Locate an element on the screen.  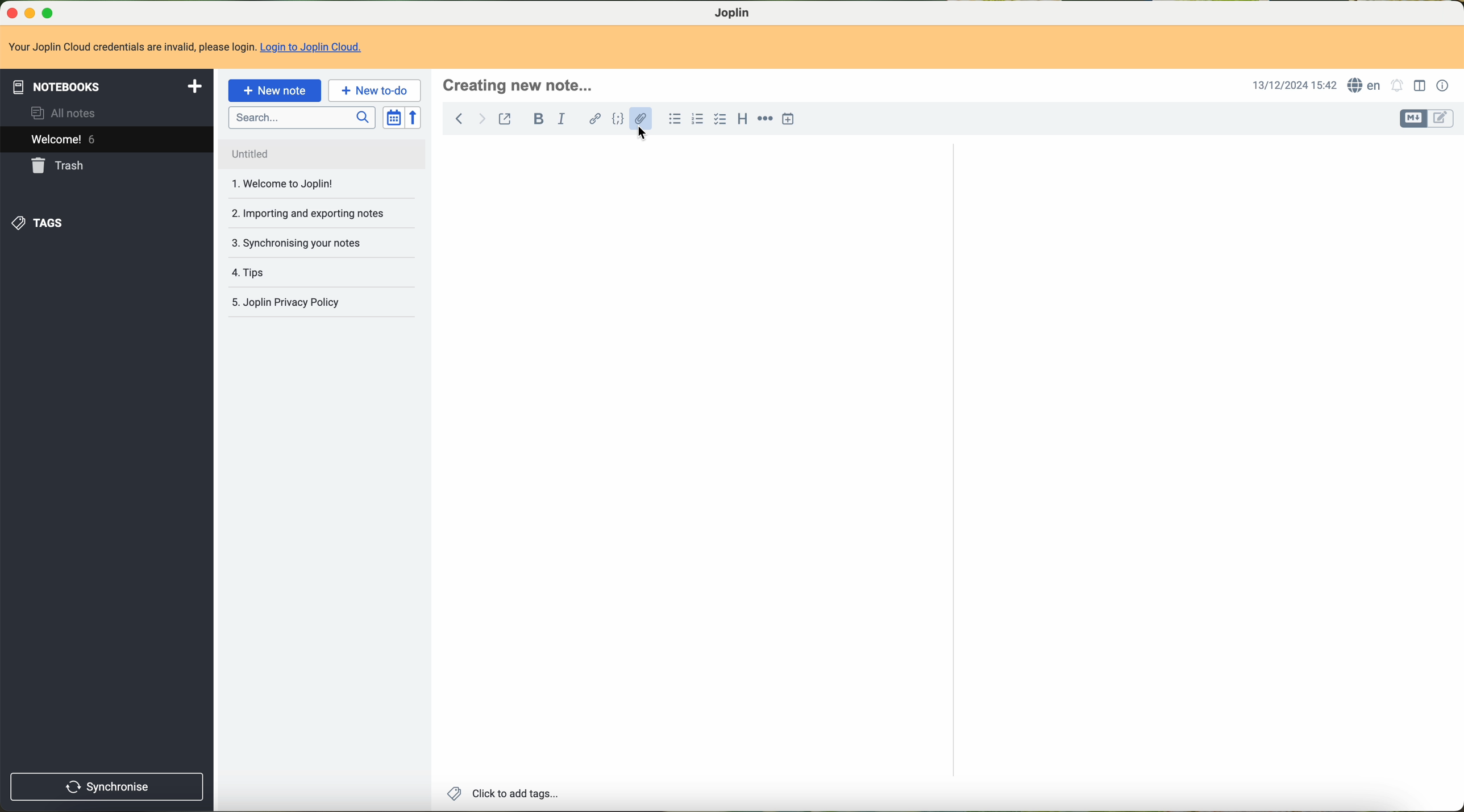
trash is located at coordinates (56, 166).